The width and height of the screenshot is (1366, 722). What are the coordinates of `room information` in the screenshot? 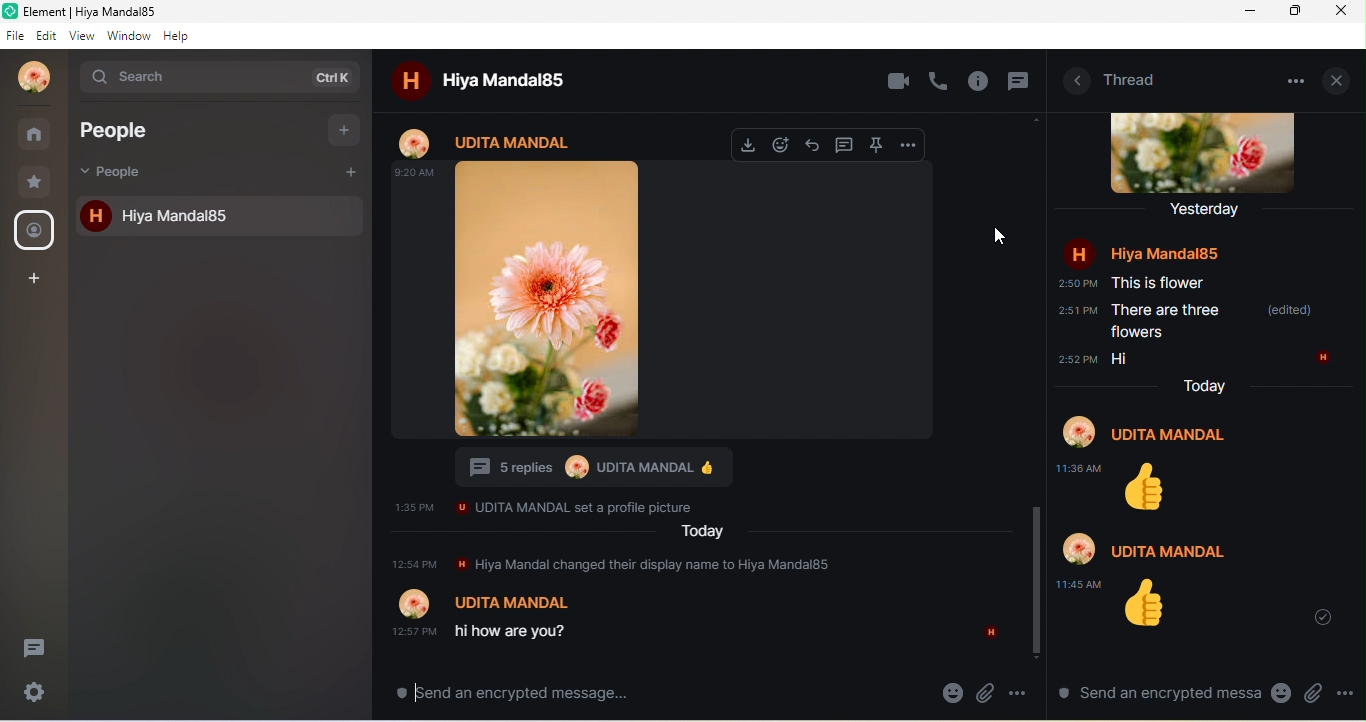 It's located at (1076, 81).